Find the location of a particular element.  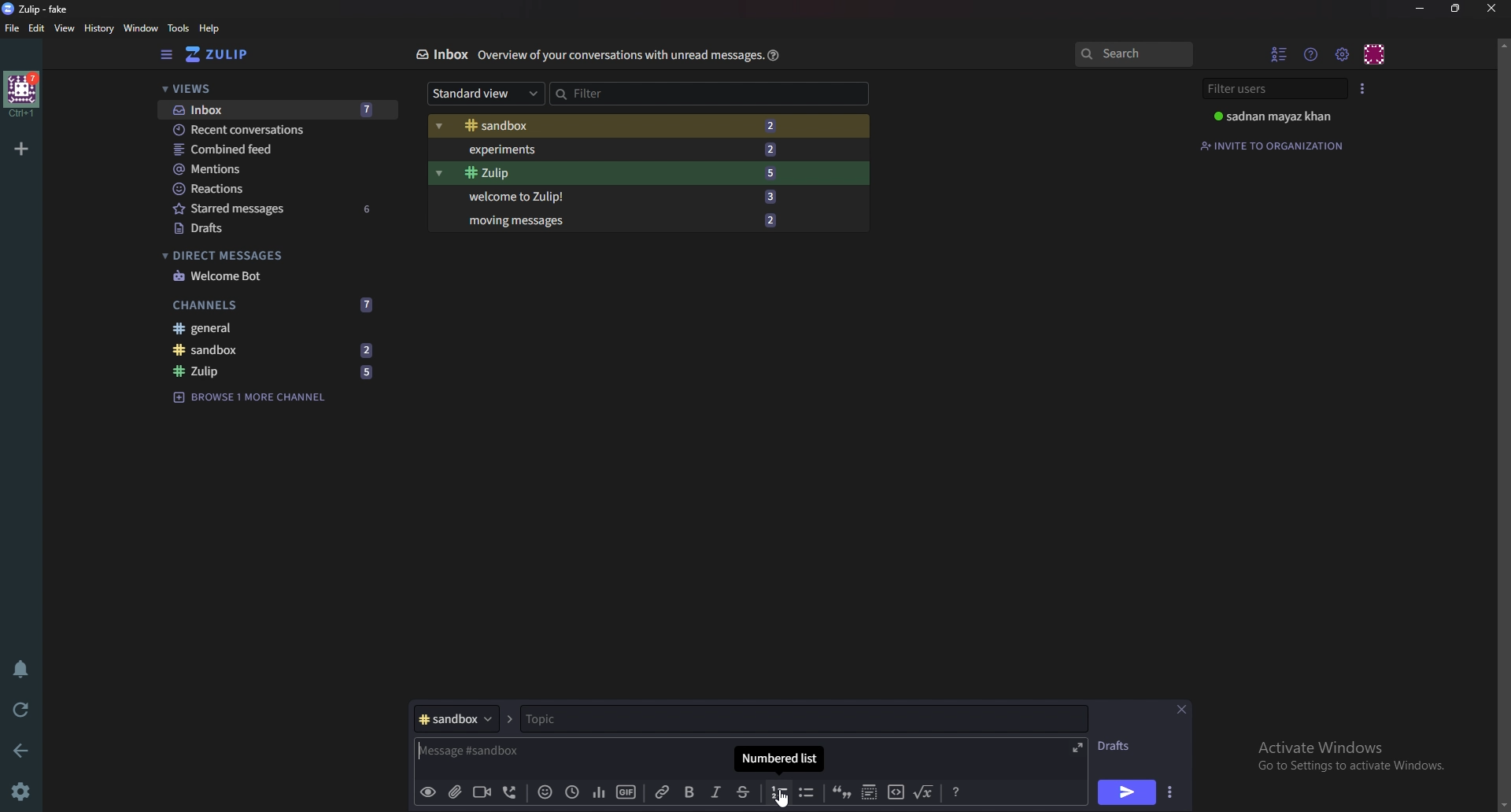

Standard view is located at coordinates (481, 94).